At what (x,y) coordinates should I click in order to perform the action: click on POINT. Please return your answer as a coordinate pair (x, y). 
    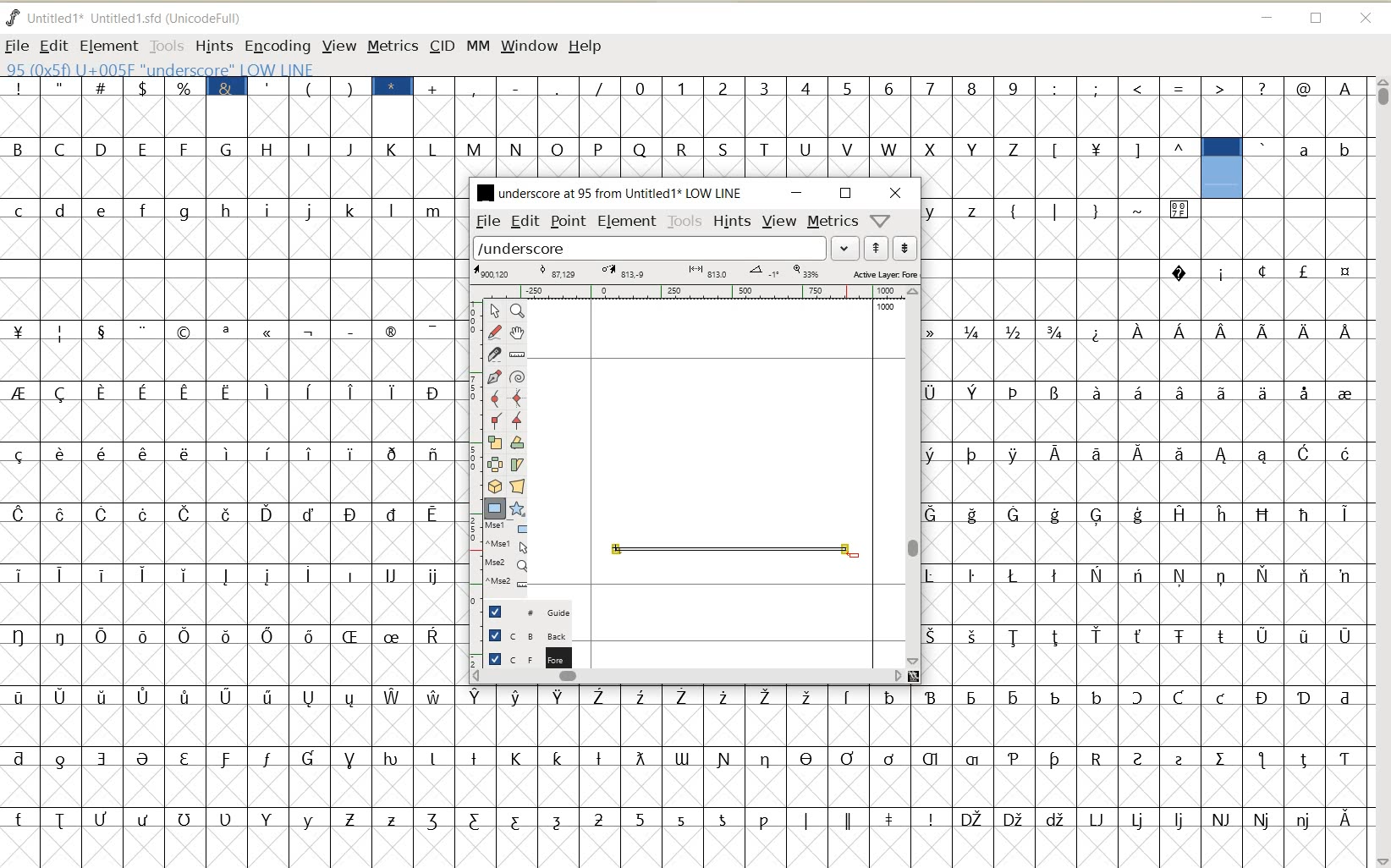
    Looking at the image, I should click on (569, 223).